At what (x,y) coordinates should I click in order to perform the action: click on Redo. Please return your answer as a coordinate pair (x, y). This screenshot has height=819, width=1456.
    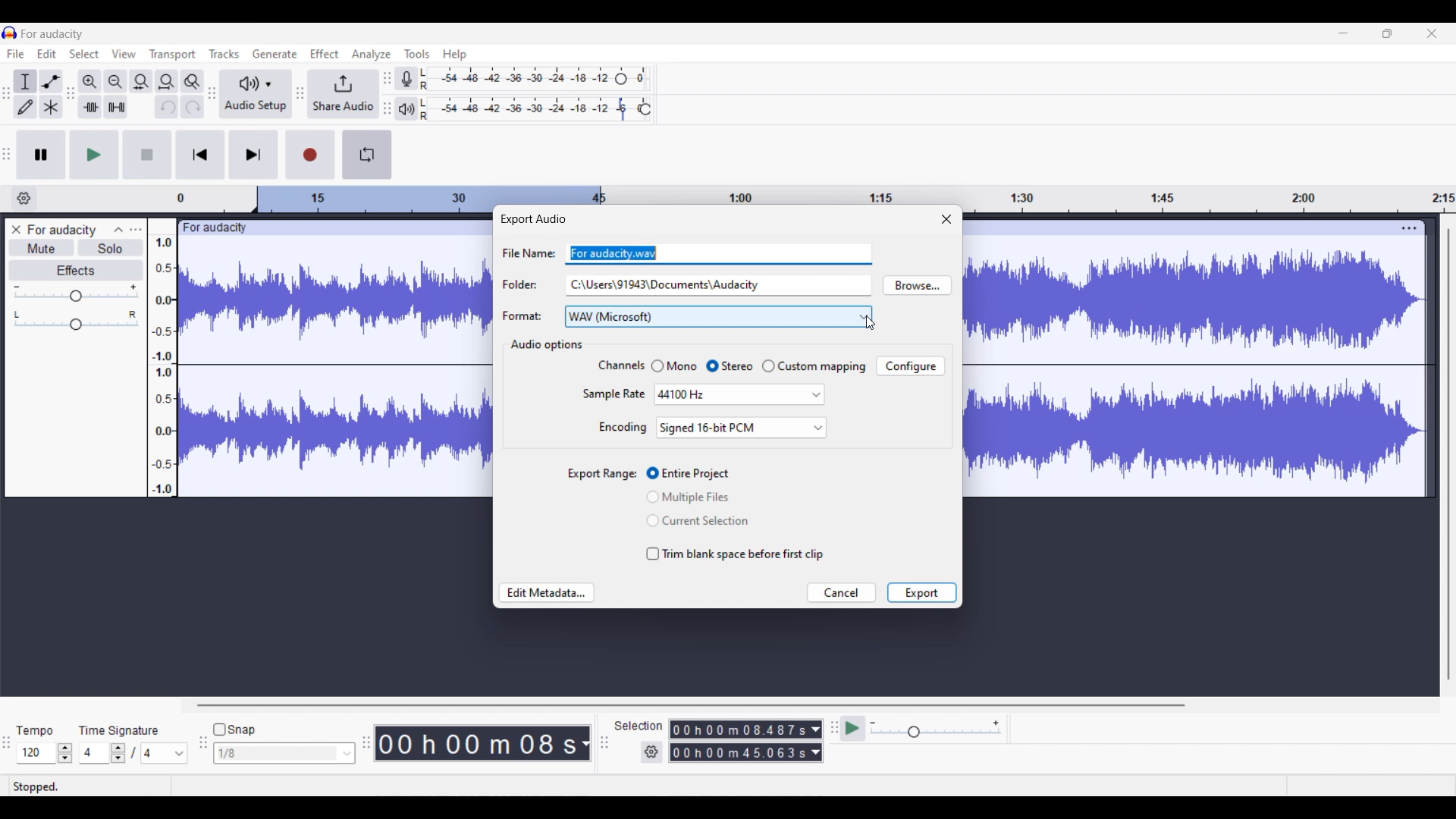
    Looking at the image, I should click on (193, 106).